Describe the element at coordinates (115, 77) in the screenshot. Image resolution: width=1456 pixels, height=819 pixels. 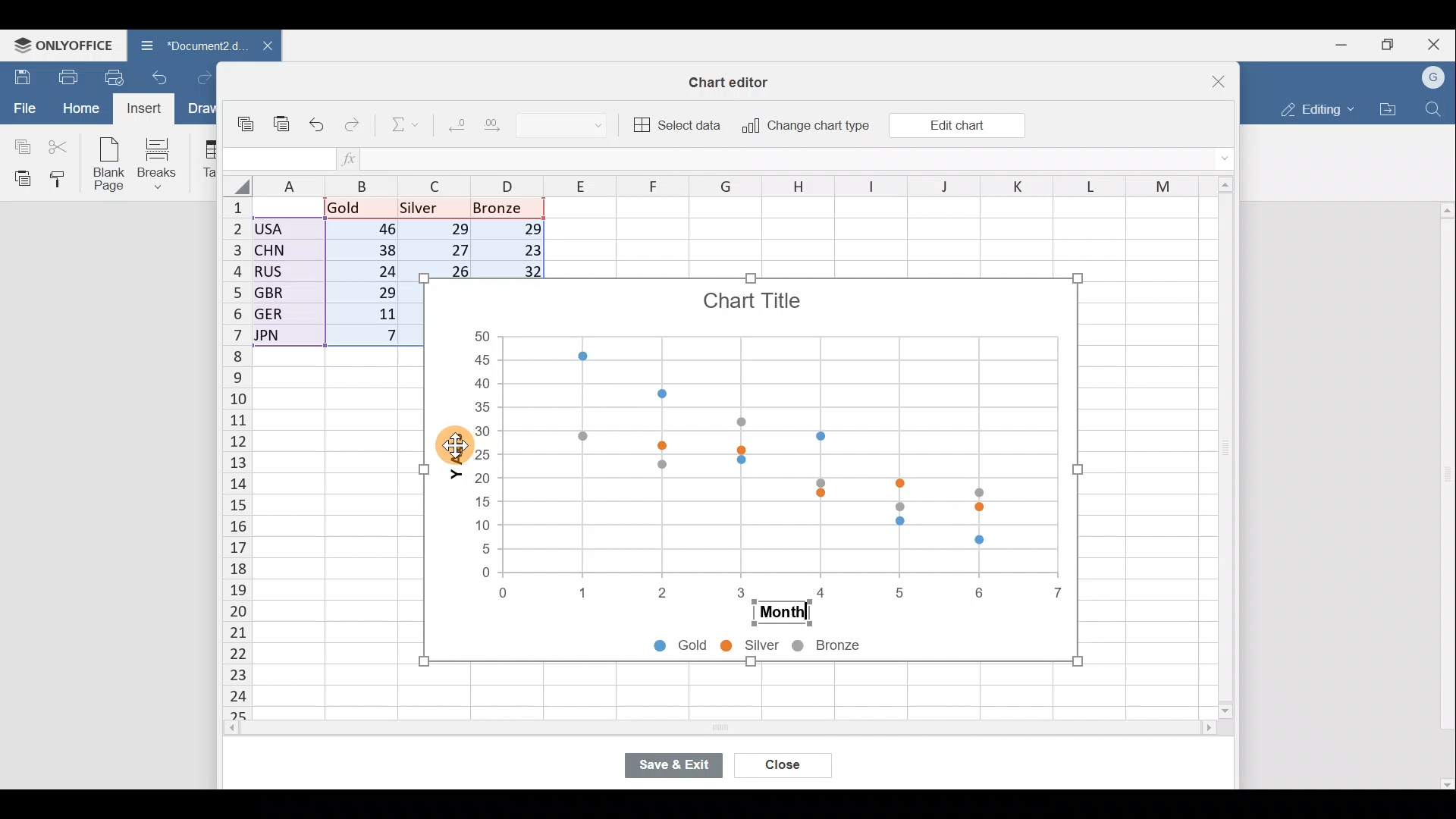
I see `Quick print` at that location.